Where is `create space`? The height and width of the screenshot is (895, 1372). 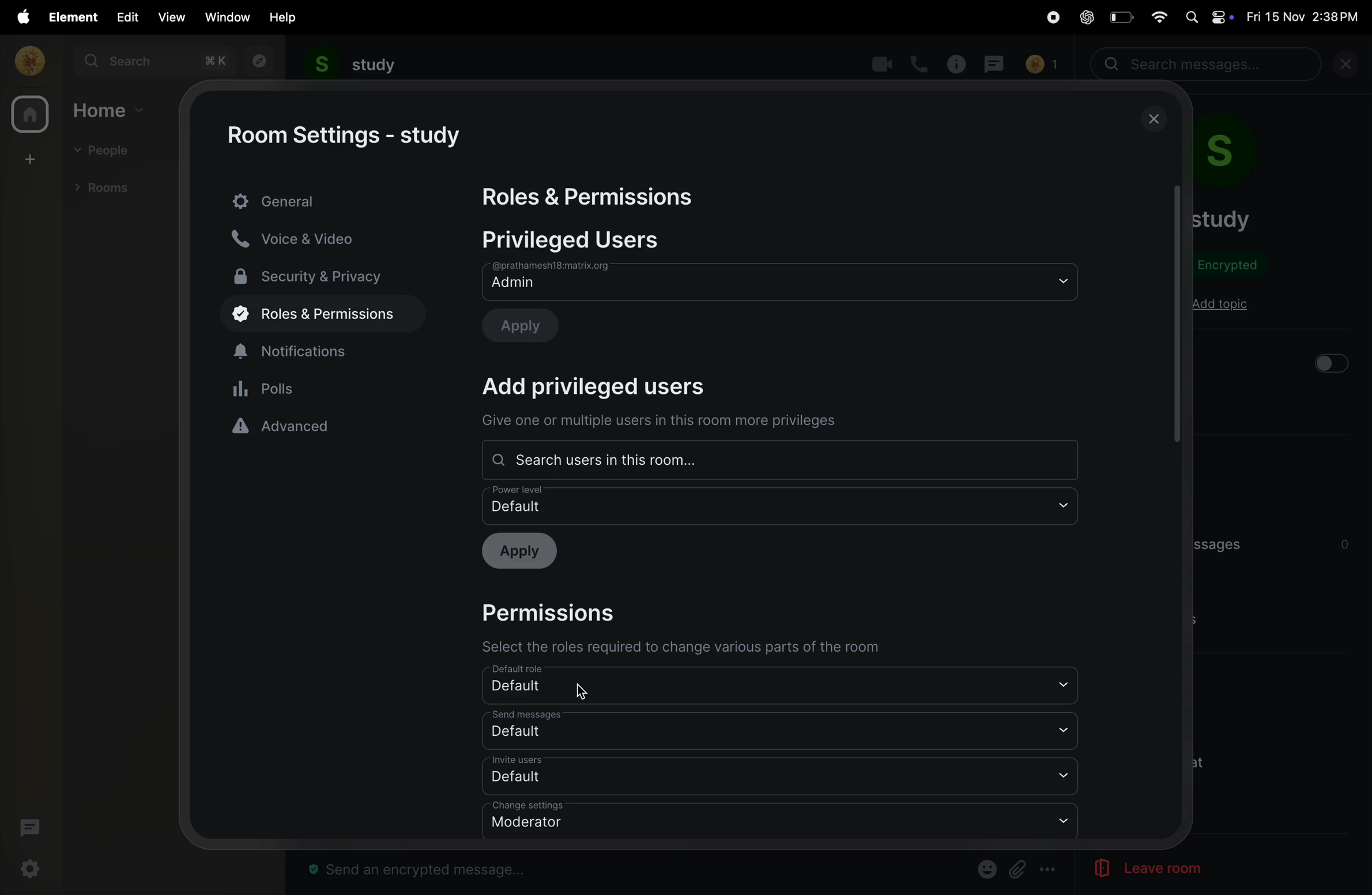
create space is located at coordinates (28, 158).